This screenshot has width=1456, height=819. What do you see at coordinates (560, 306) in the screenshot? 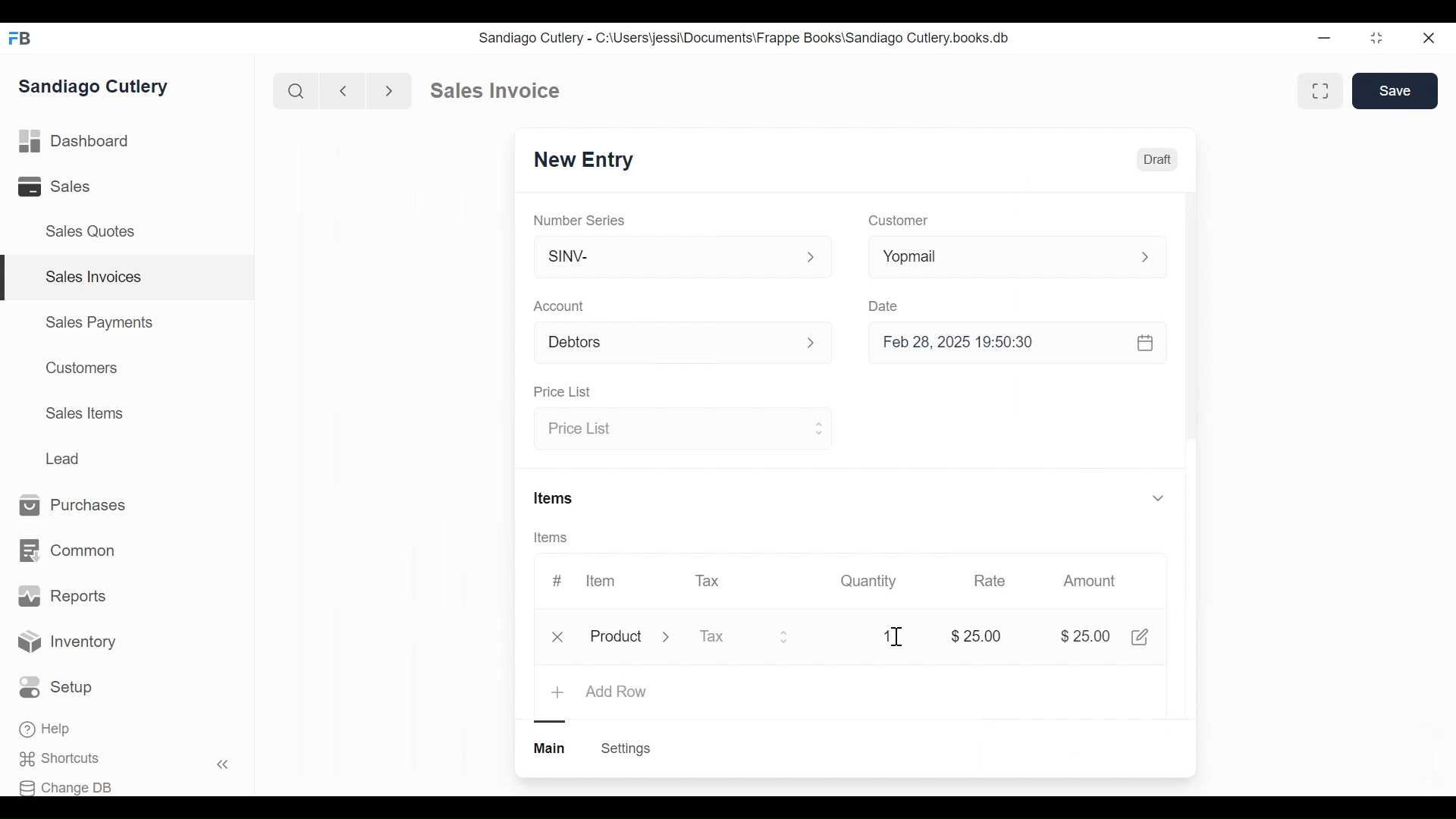
I see `Account` at bounding box center [560, 306].